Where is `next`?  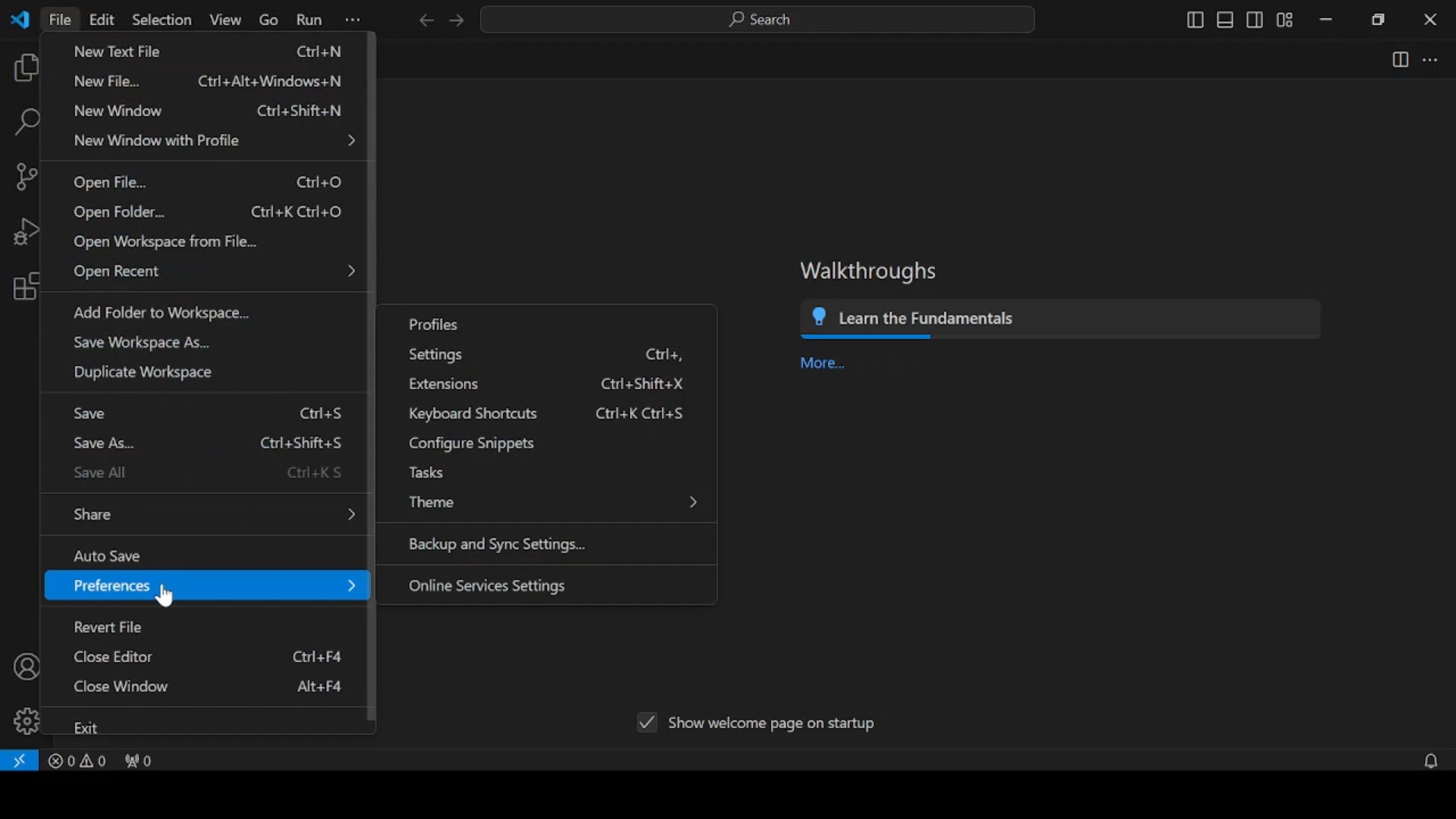 next is located at coordinates (457, 20).